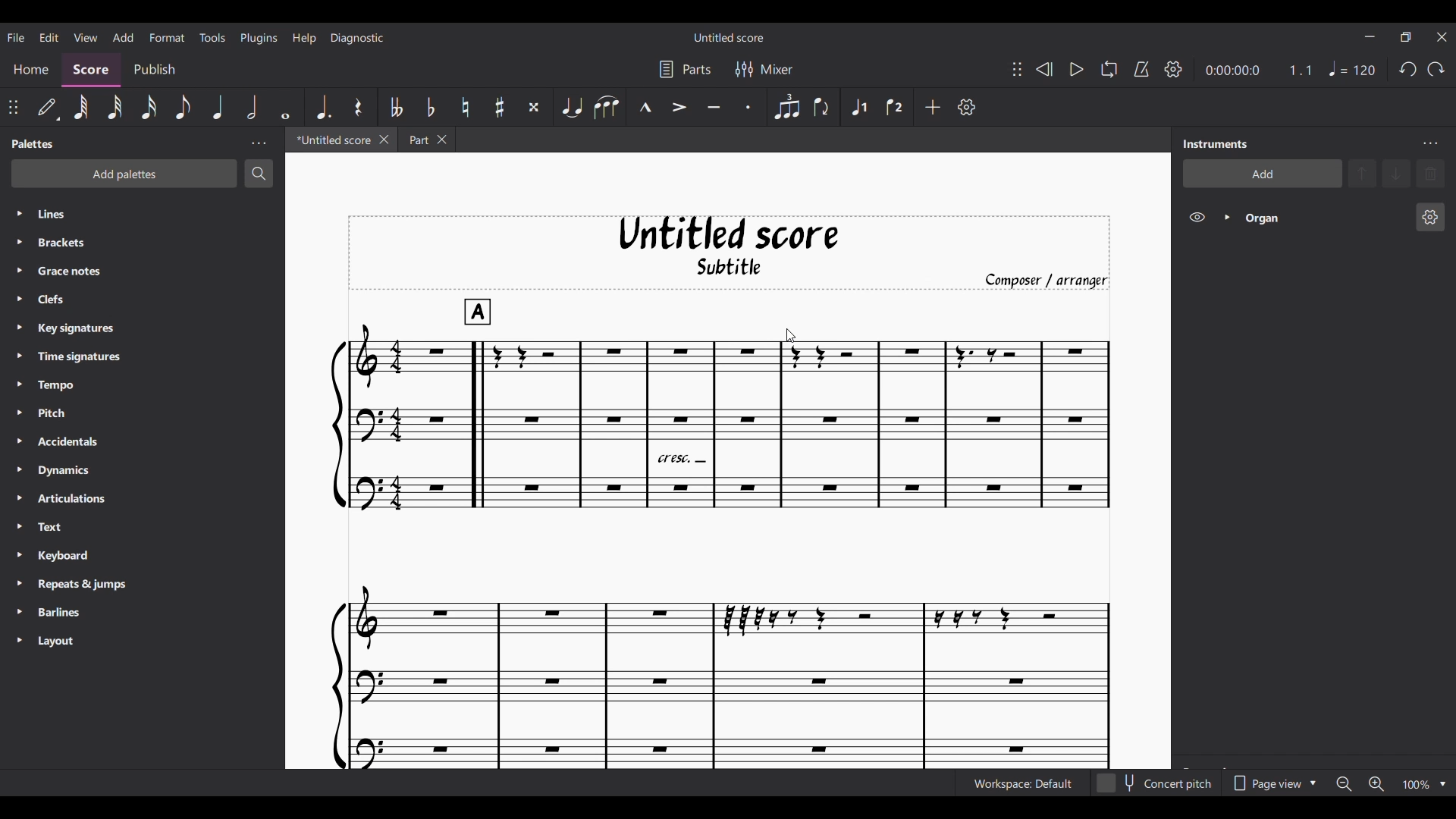 Image resolution: width=1456 pixels, height=819 pixels. I want to click on Edit menu, so click(49, 36).